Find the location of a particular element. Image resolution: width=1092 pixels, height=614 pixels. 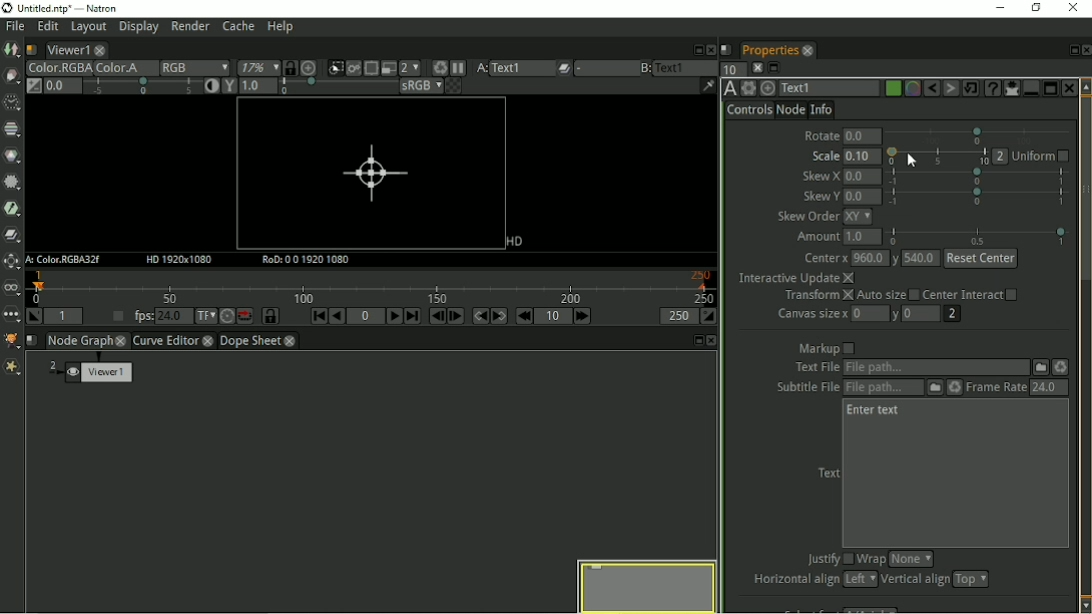

Filter is located at coordinates (15, 210).